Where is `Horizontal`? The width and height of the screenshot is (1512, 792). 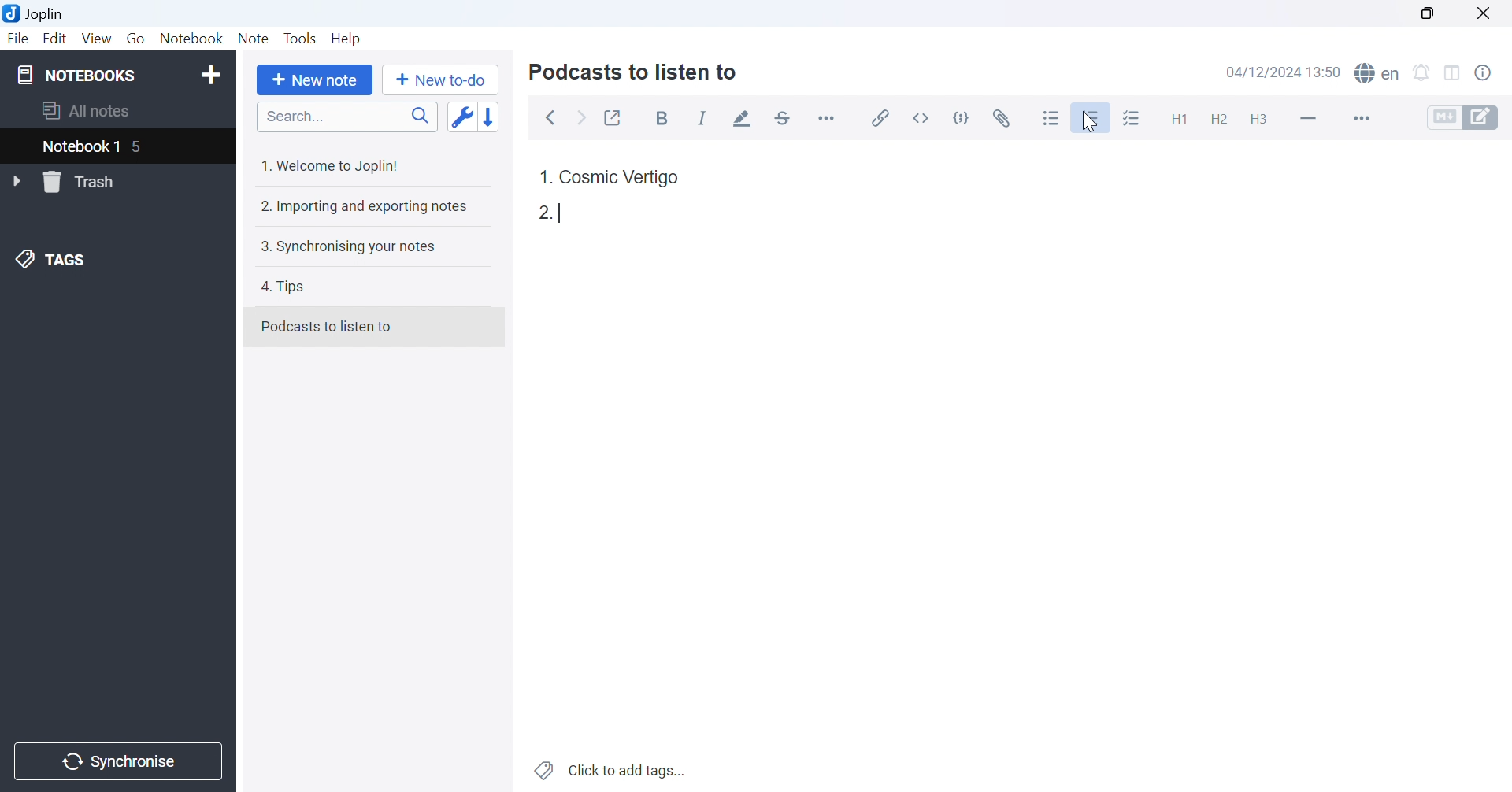
Horizontal is located at coordinates (828, 117).